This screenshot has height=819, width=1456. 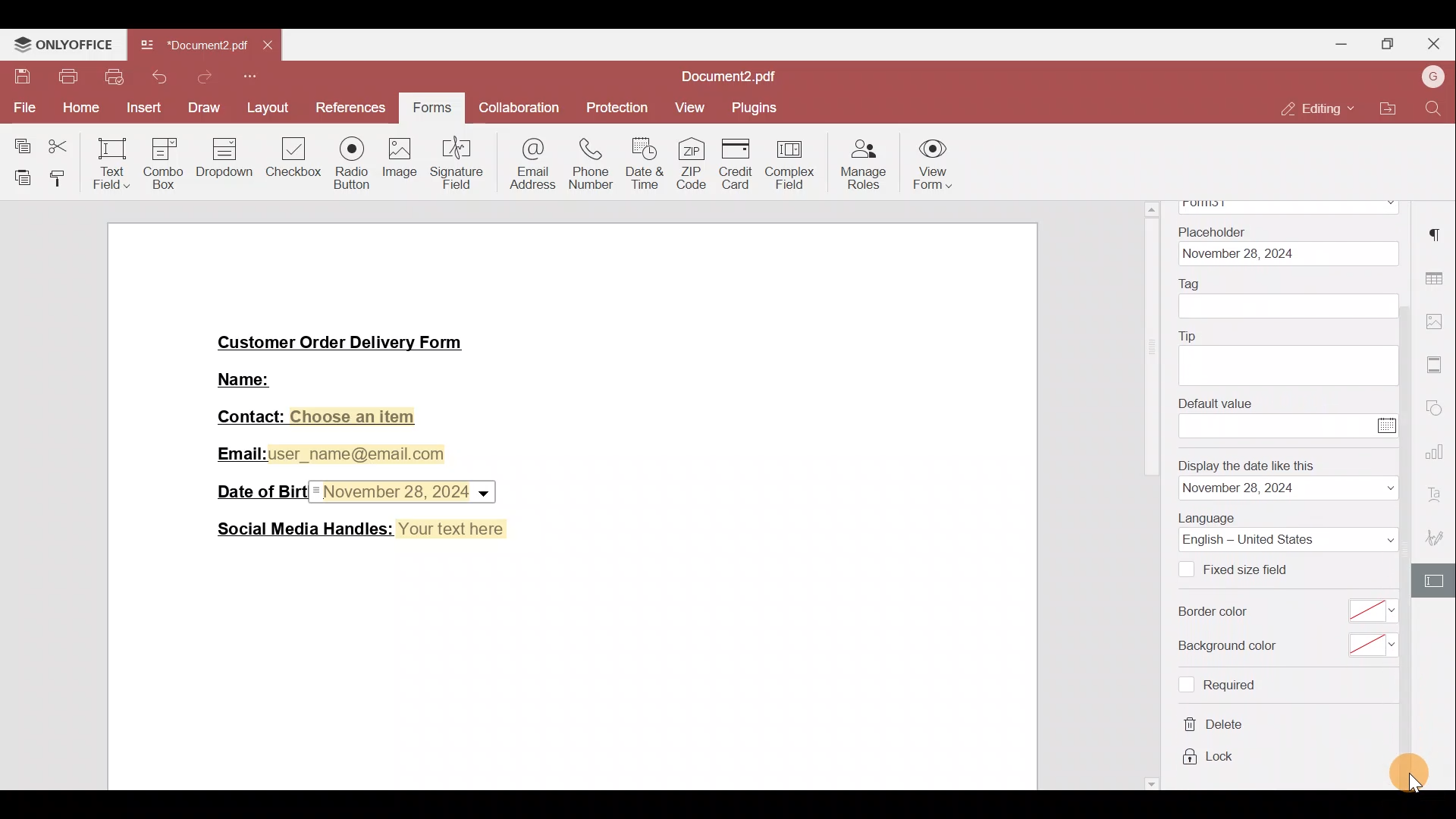 I want to click on Copy style, so click(x=61, y=176).